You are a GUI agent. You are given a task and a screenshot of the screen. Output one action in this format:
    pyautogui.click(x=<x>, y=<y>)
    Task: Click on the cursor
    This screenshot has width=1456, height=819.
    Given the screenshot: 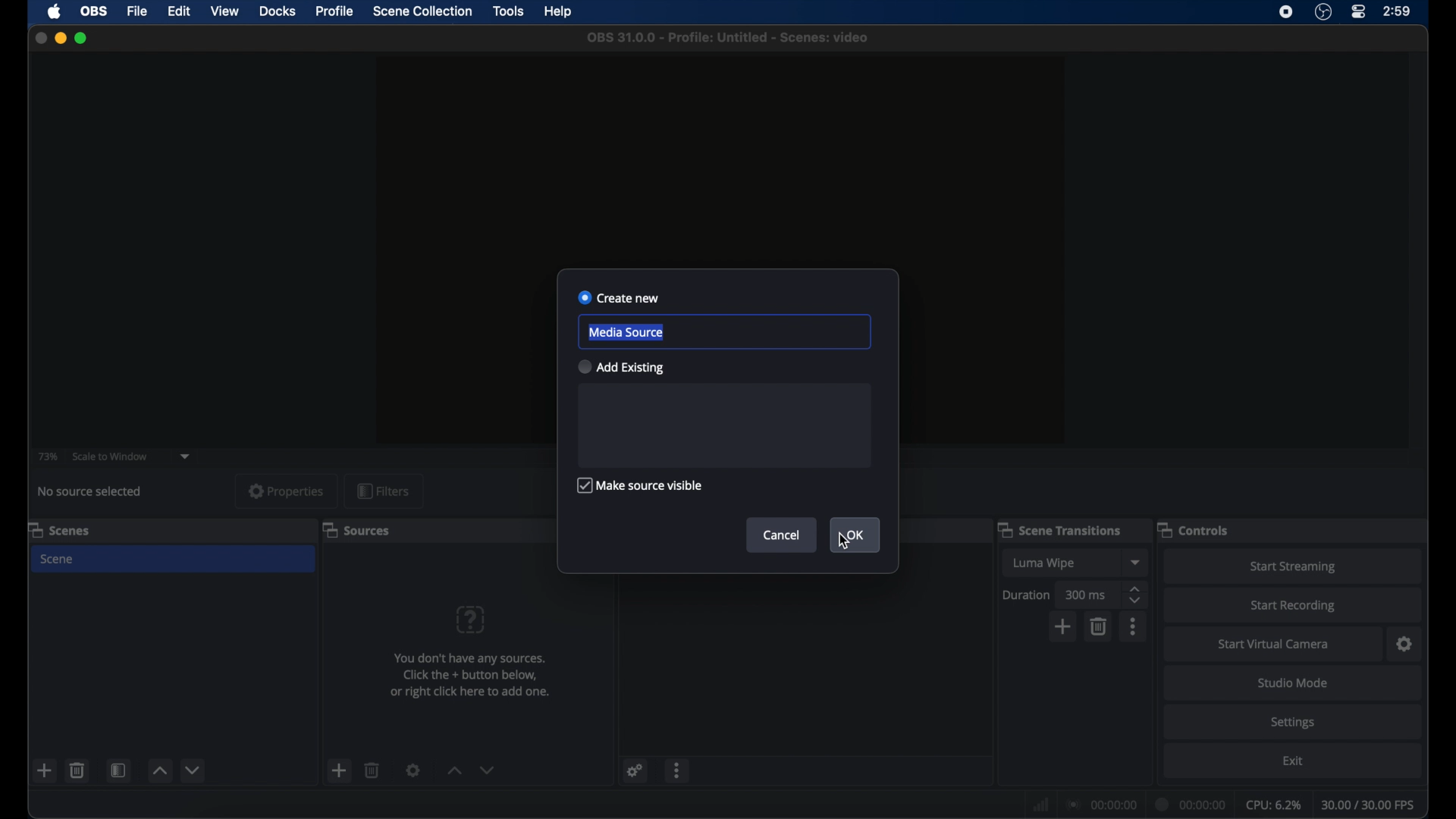 What is the action you would take?
    pyautogui.click(x=846, y=544)
    